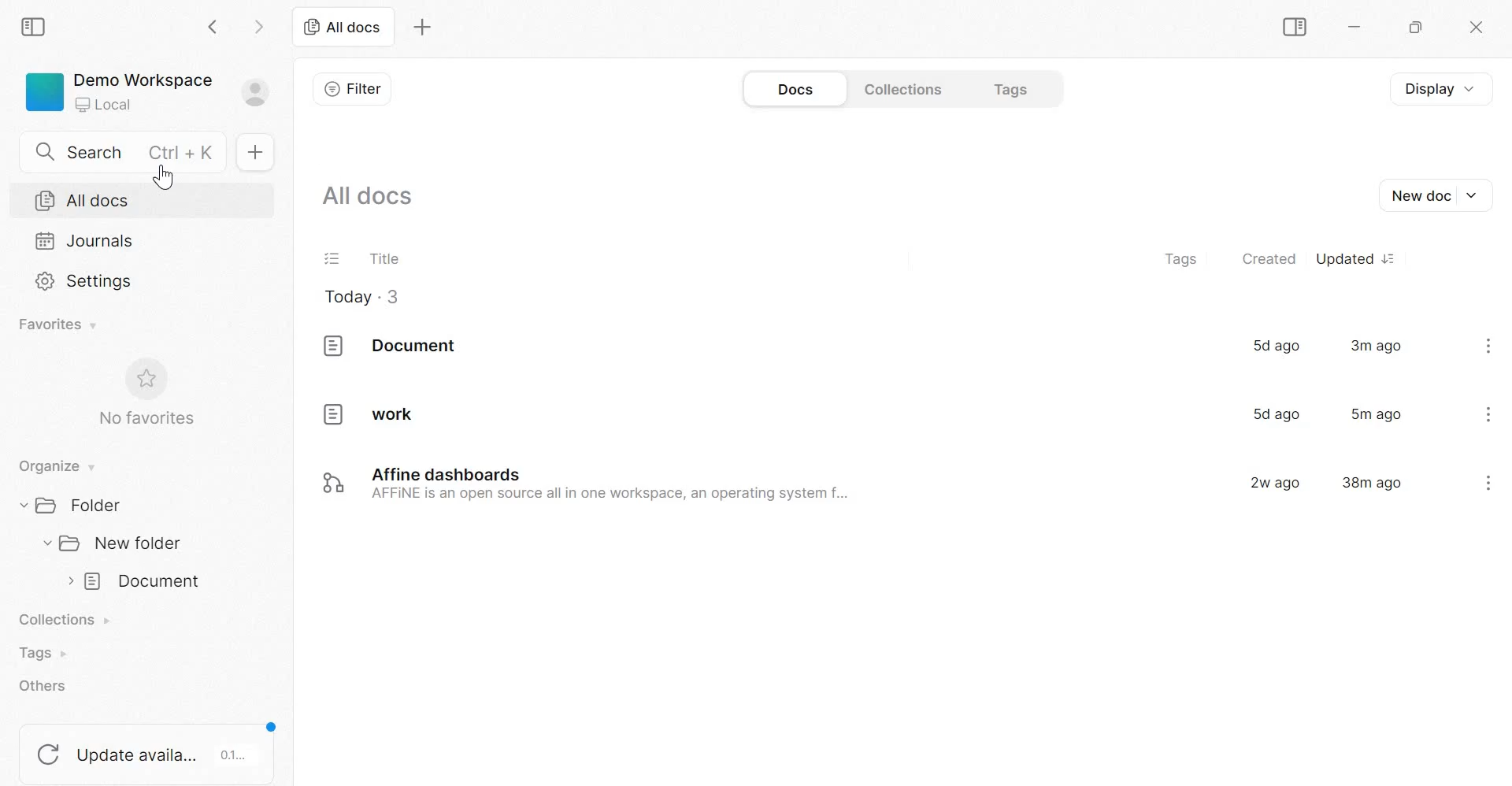  Describe the element at coordinates (1448, 87) in the screenshot. I see `Display` at that location.